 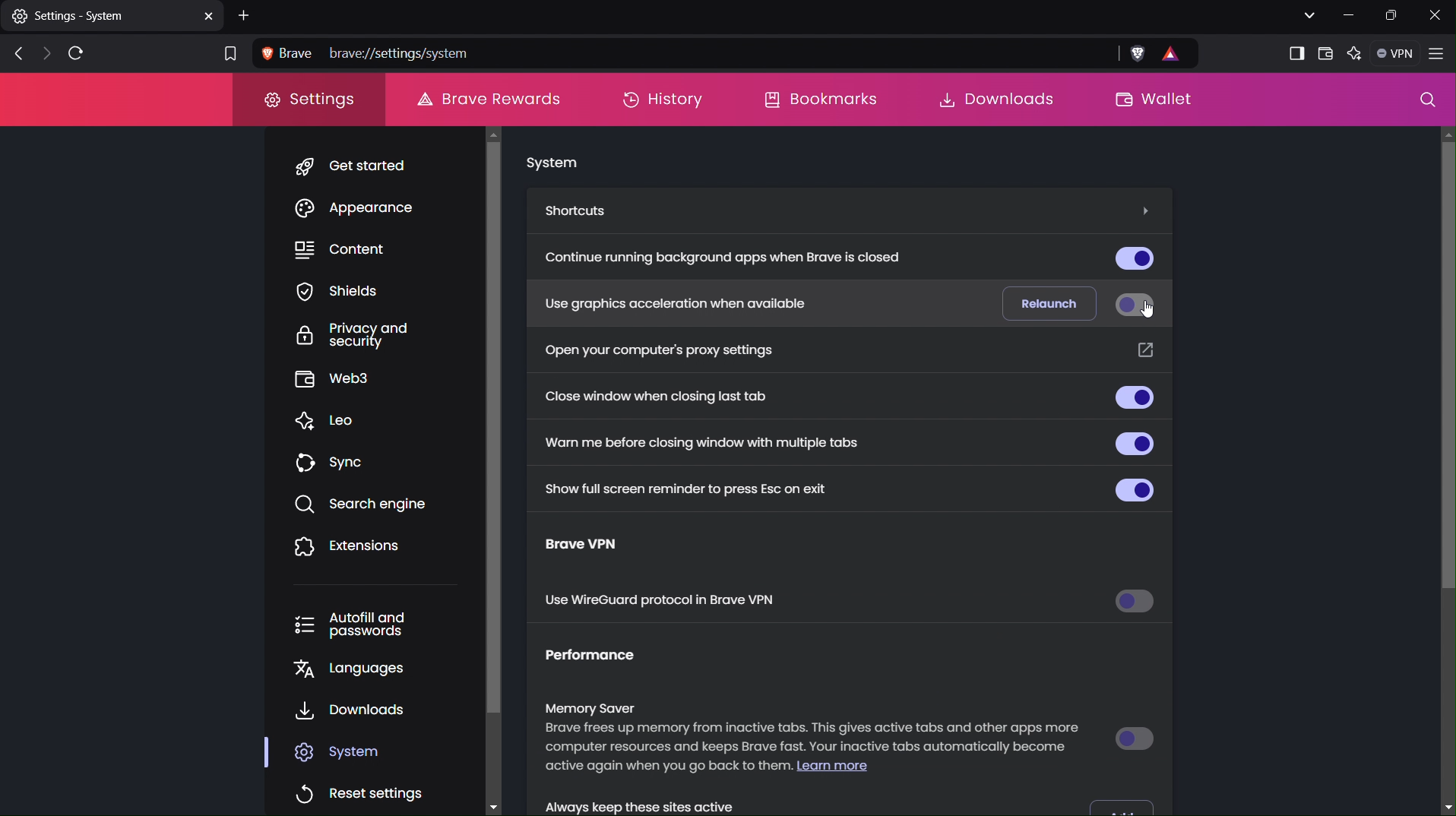 What do you see at coordinates (1144, 353) in the screenshot?
I see `Redirect` at bounding box center [1144, 353].